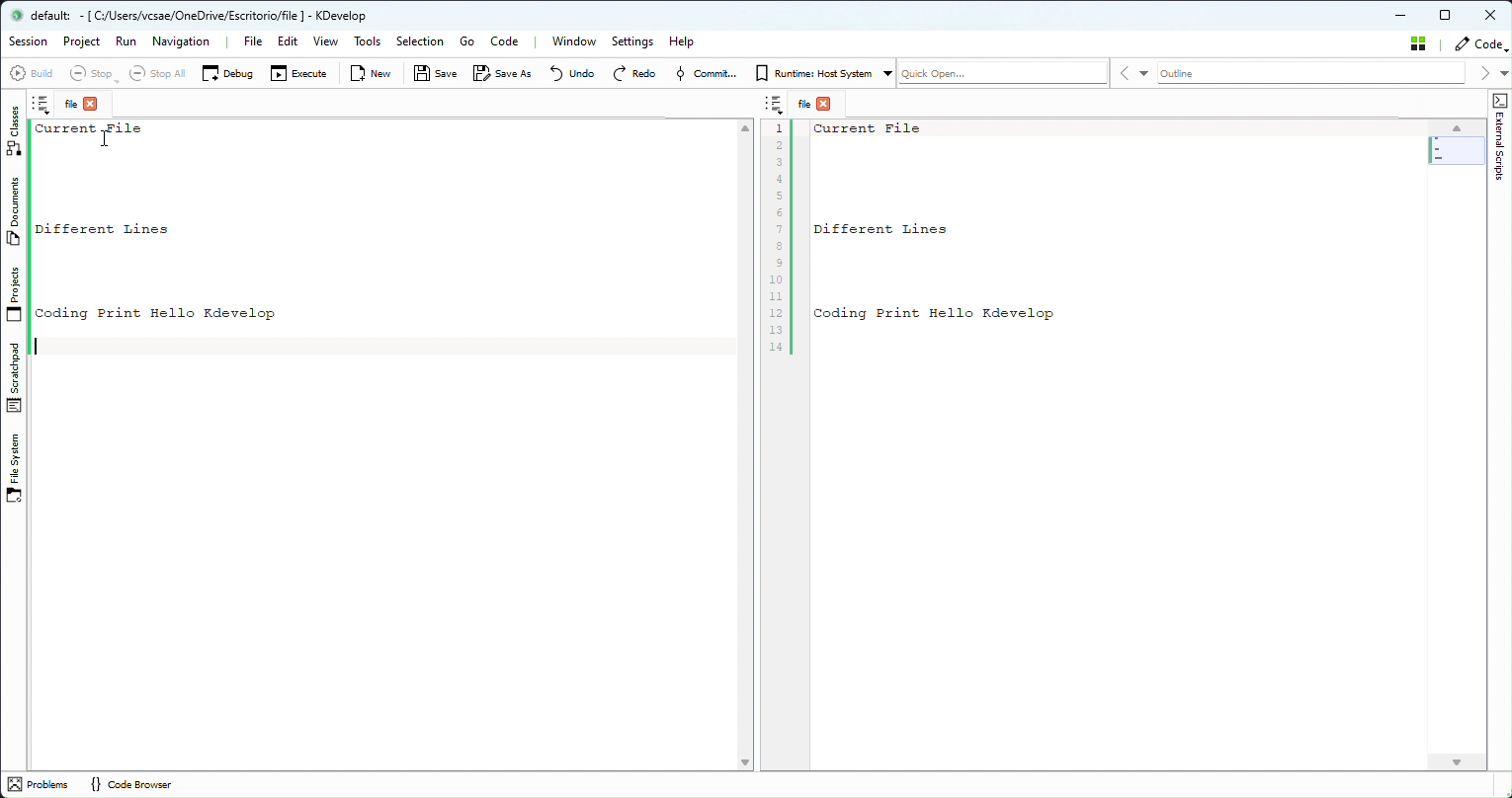 Image resolution: width=1512 pixels, height=798 pixels. Describe the element at coordinates (683, 42) in the screenshot. I see `Help` at that location.